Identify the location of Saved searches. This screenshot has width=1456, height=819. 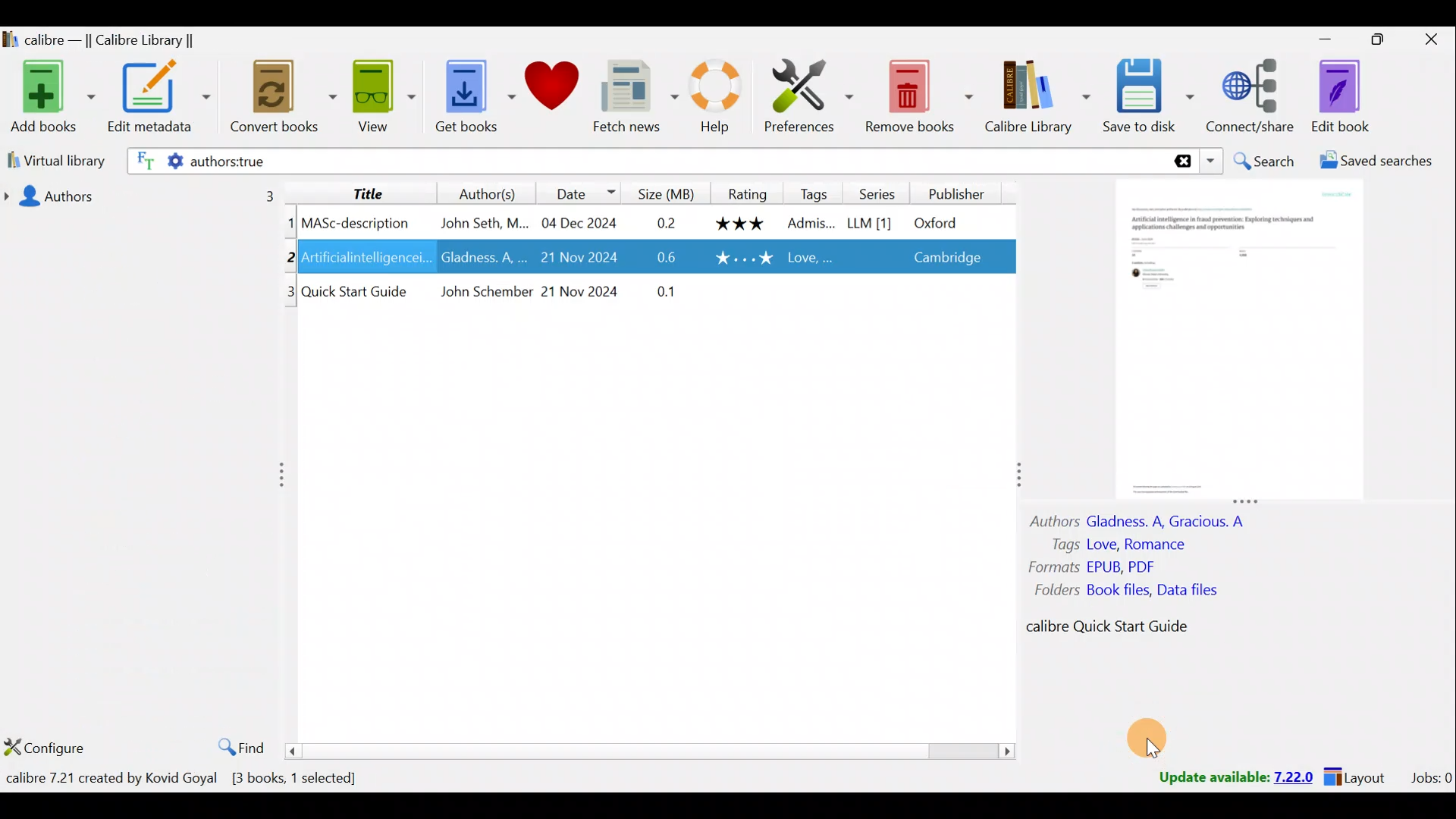
(1385, 161).